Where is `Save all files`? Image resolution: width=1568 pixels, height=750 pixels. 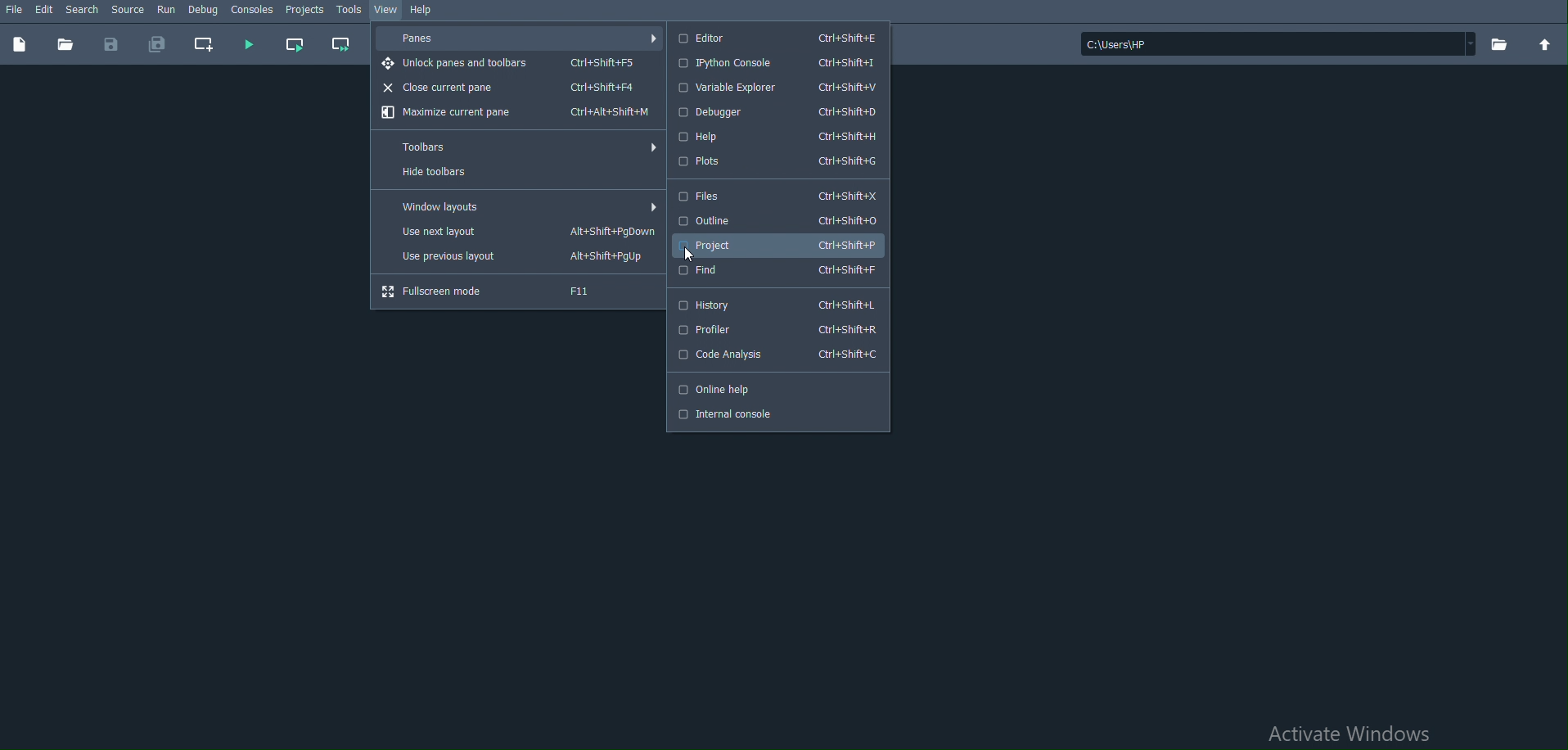 Save all files is located at coordinates (157, 44).